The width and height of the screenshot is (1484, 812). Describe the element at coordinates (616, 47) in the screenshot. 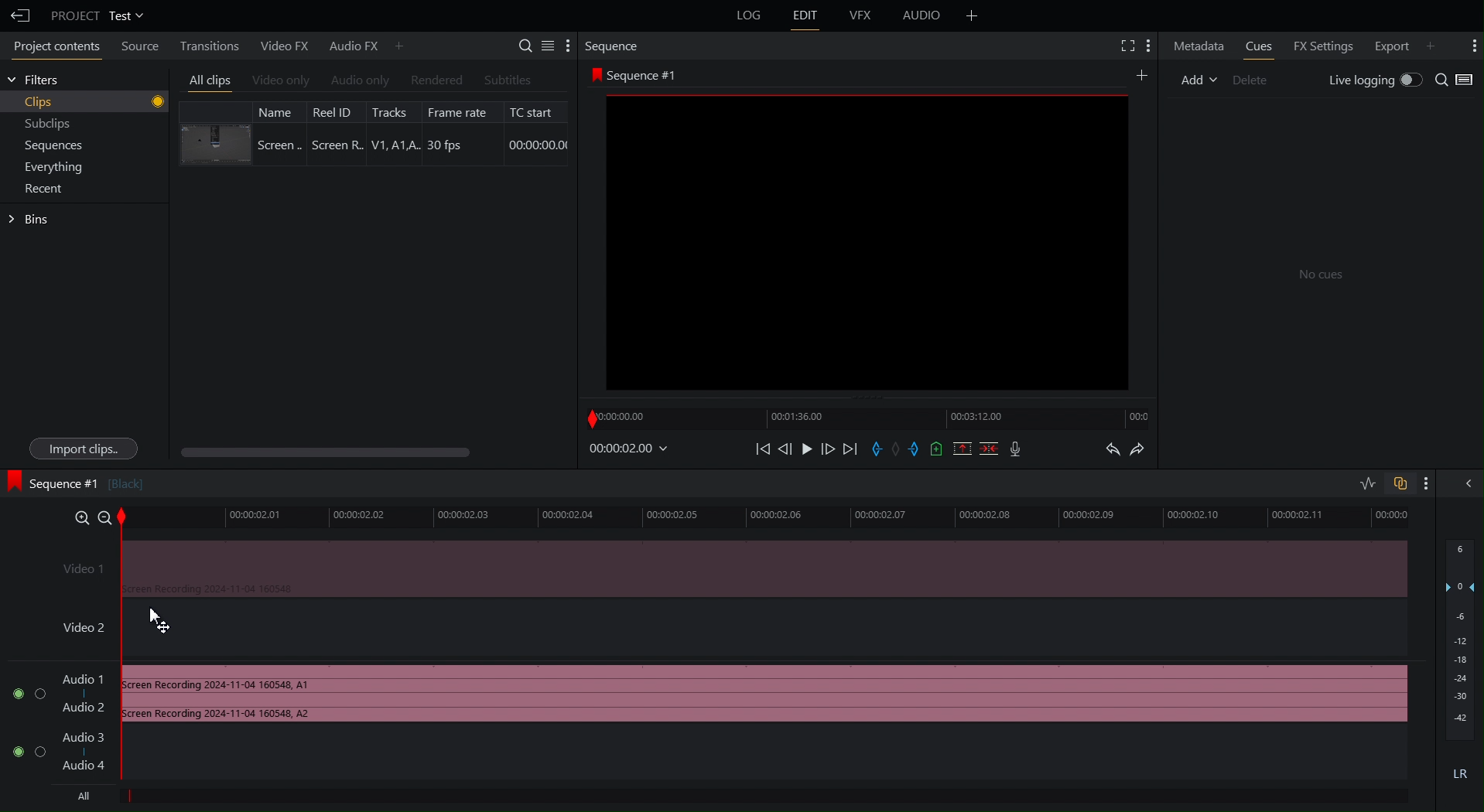

I see `Sequence` at that location.